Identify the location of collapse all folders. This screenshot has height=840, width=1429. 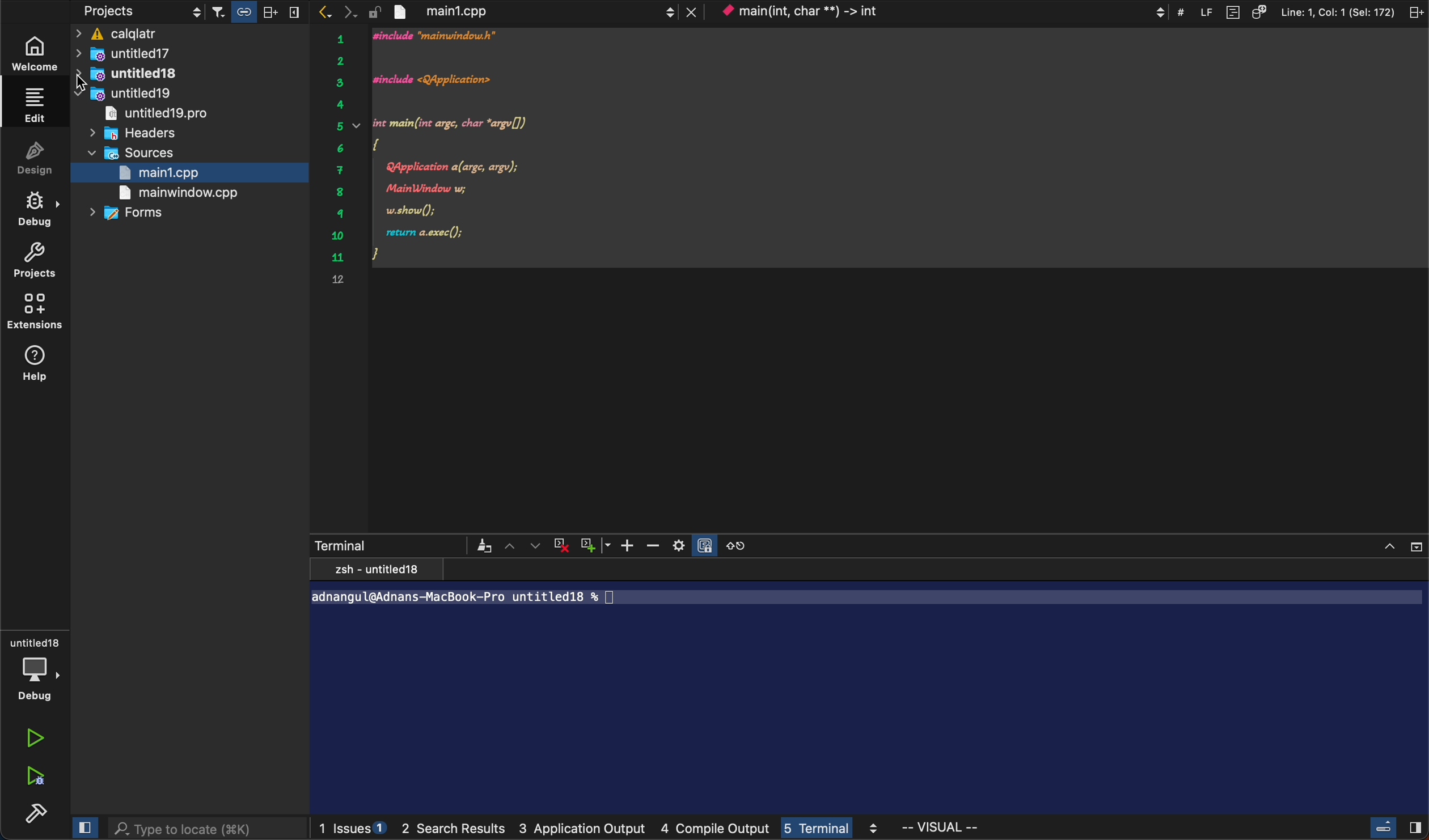
(134, 73).